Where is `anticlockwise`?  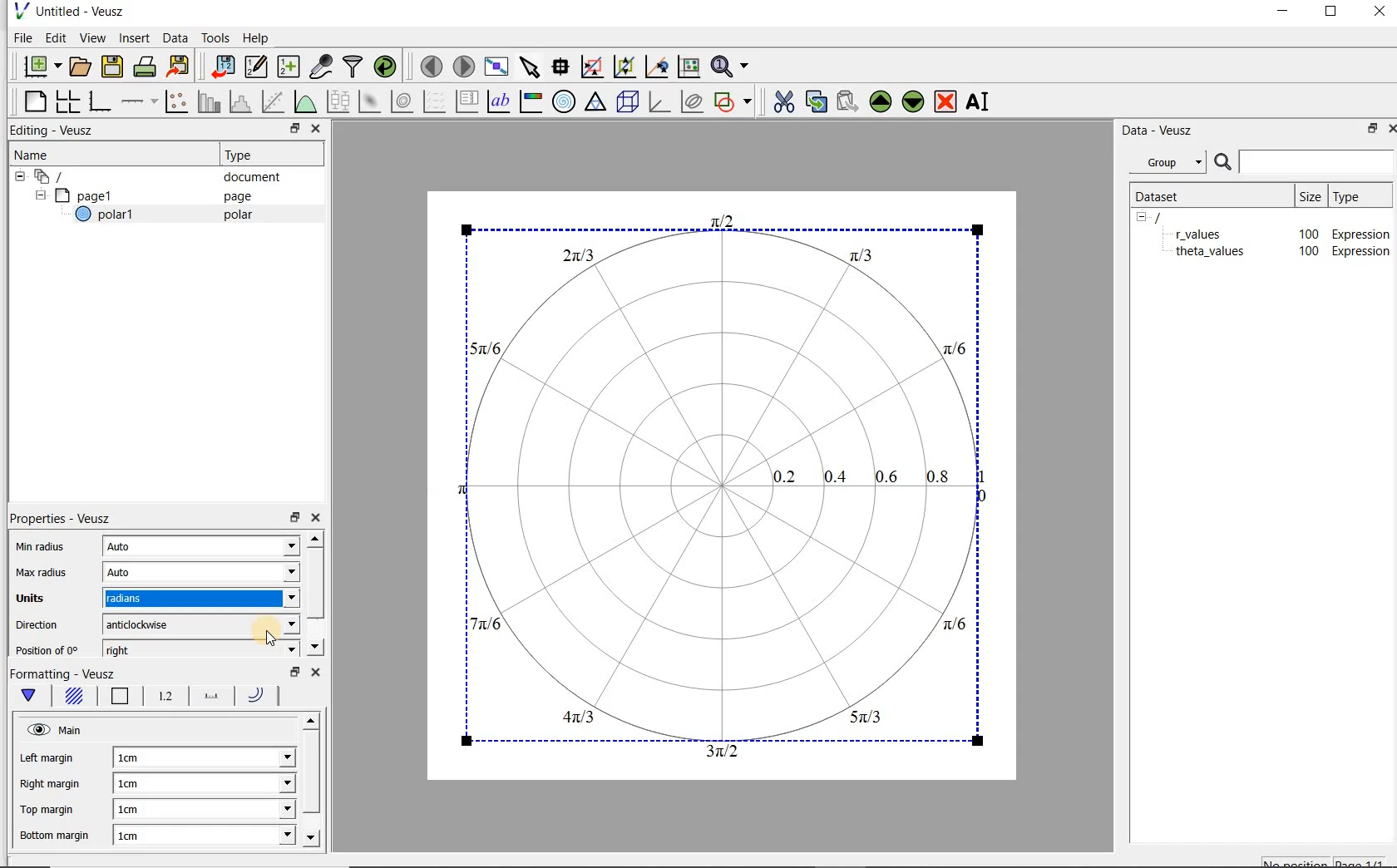
anticlockwise is located at coordinates (145, 624).